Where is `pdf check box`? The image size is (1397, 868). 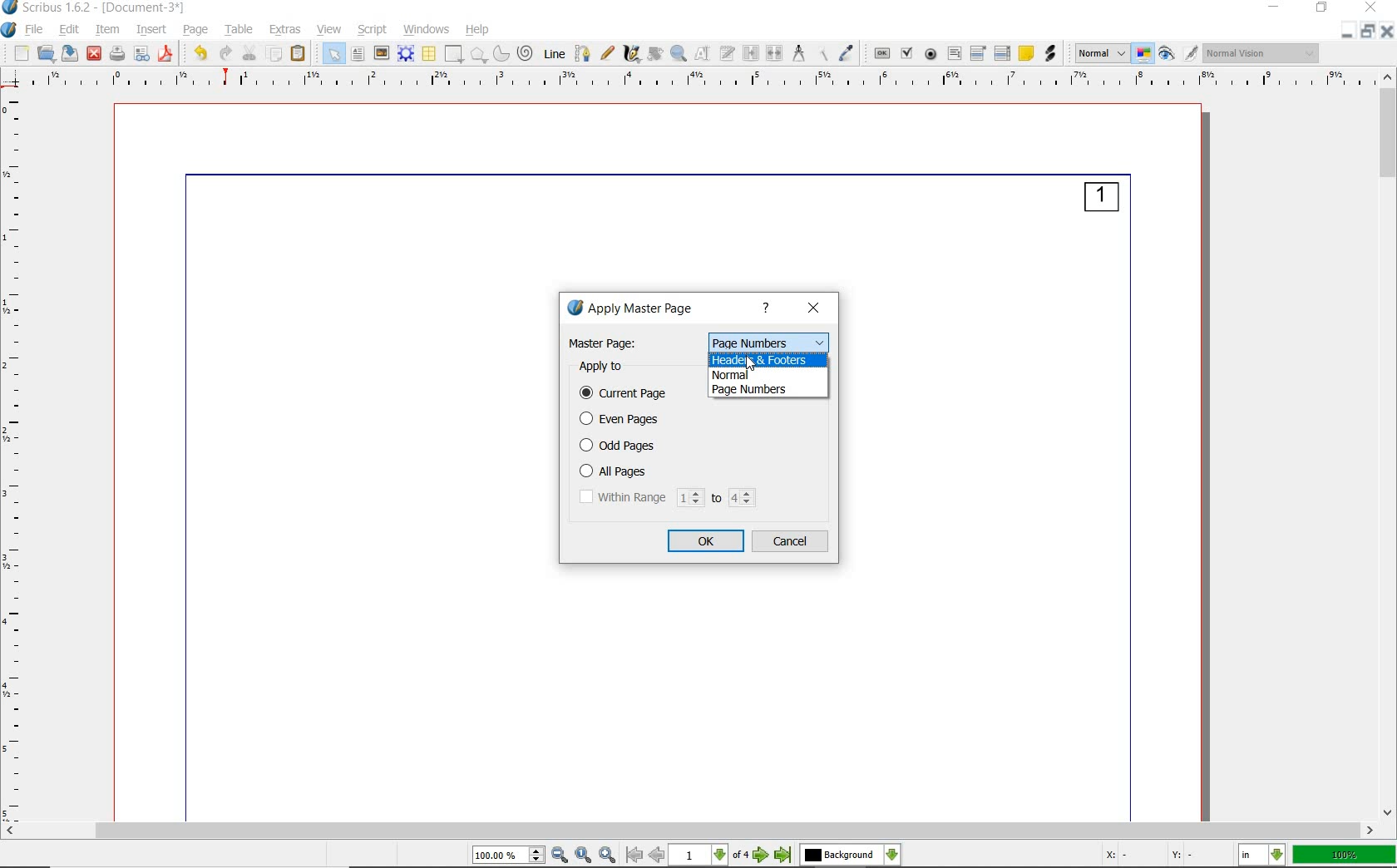 pdf check box is located at coordinates (908, 53).